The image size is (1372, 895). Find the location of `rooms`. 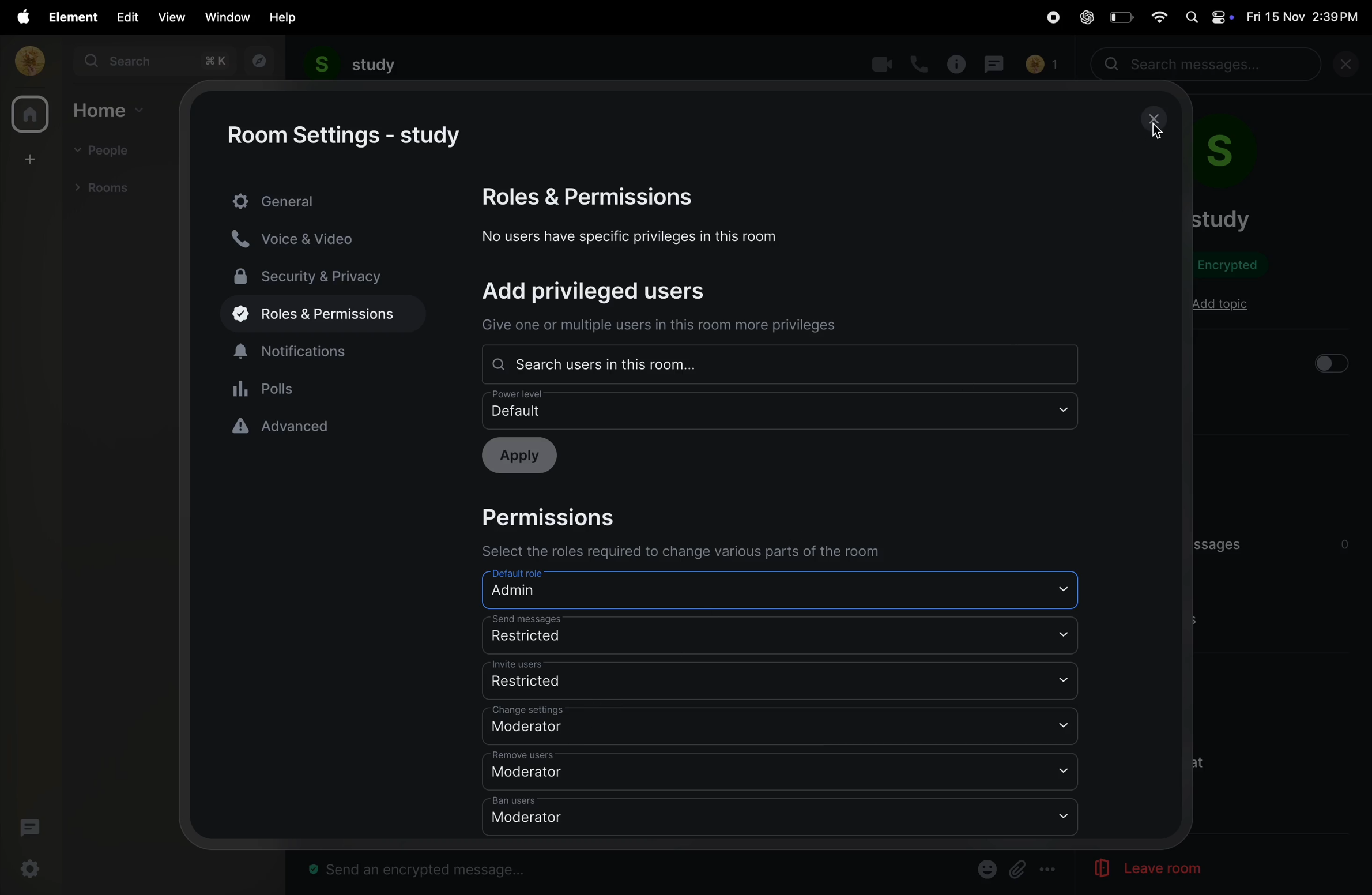

rooms is located at coordinates (107, 186).